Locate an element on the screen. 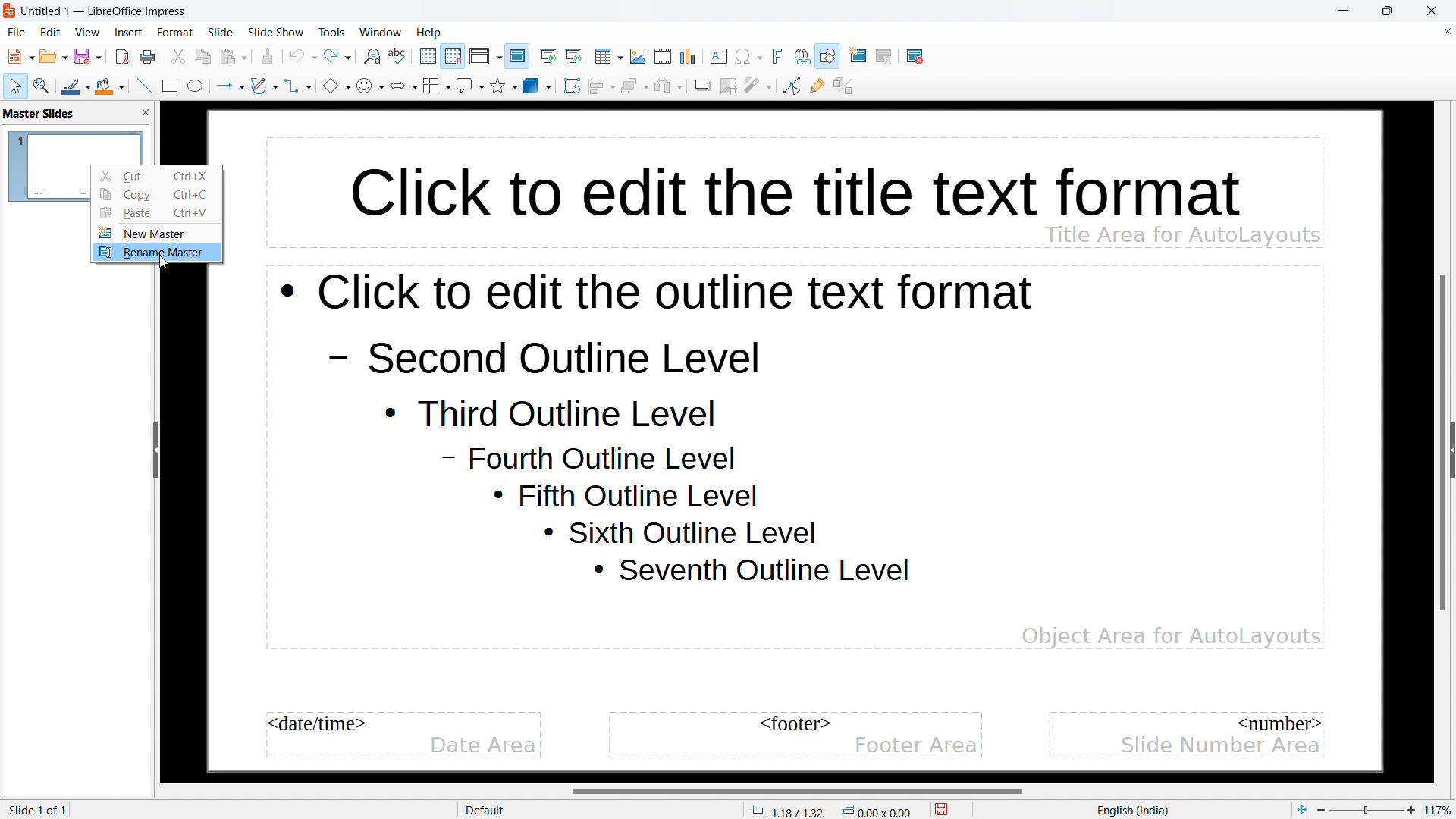  close is located at coordinates (1431, 11).